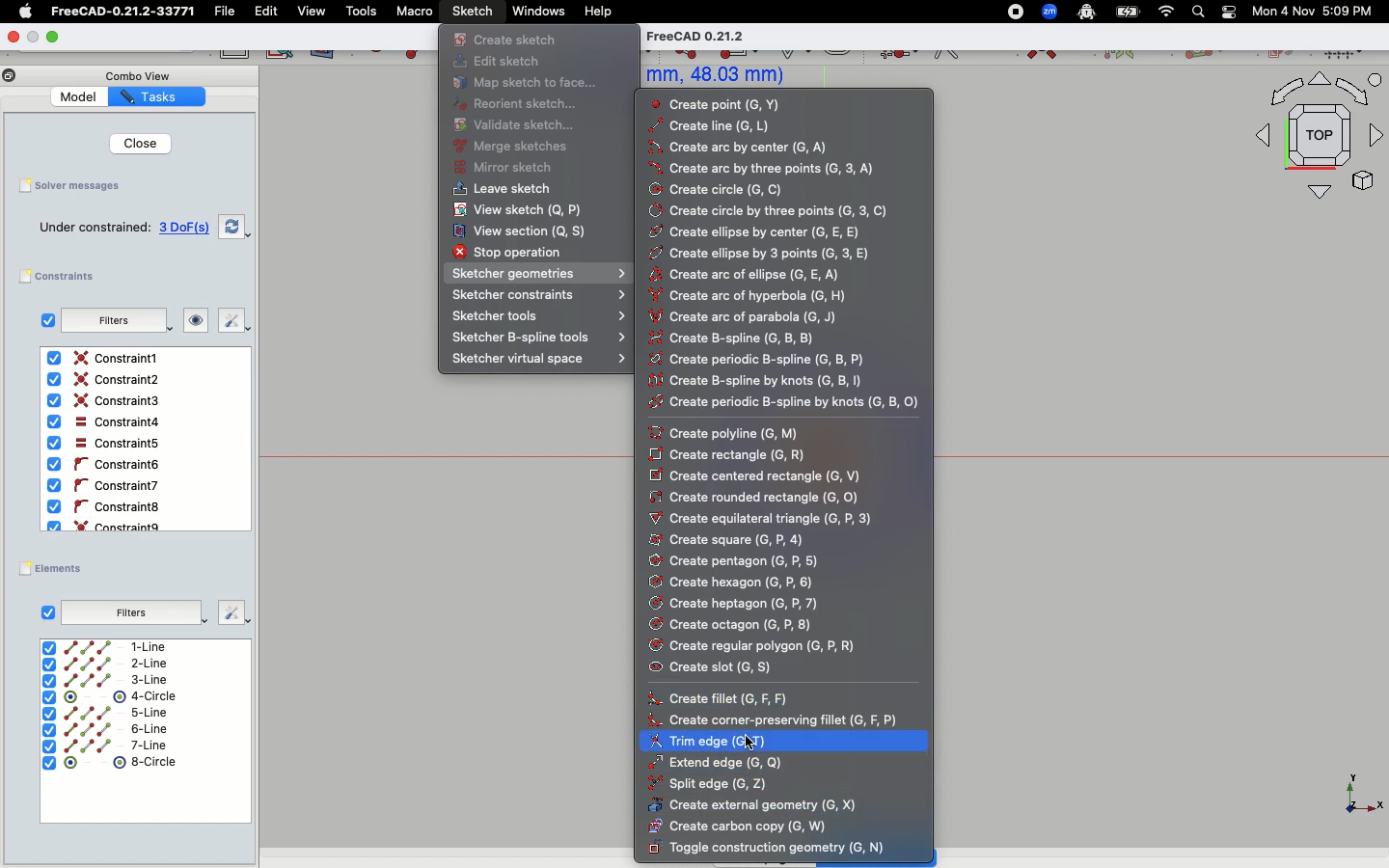  Describe the element at coordinates (765, 169) in the screenshot. I see `Create arc by three points` at that location.